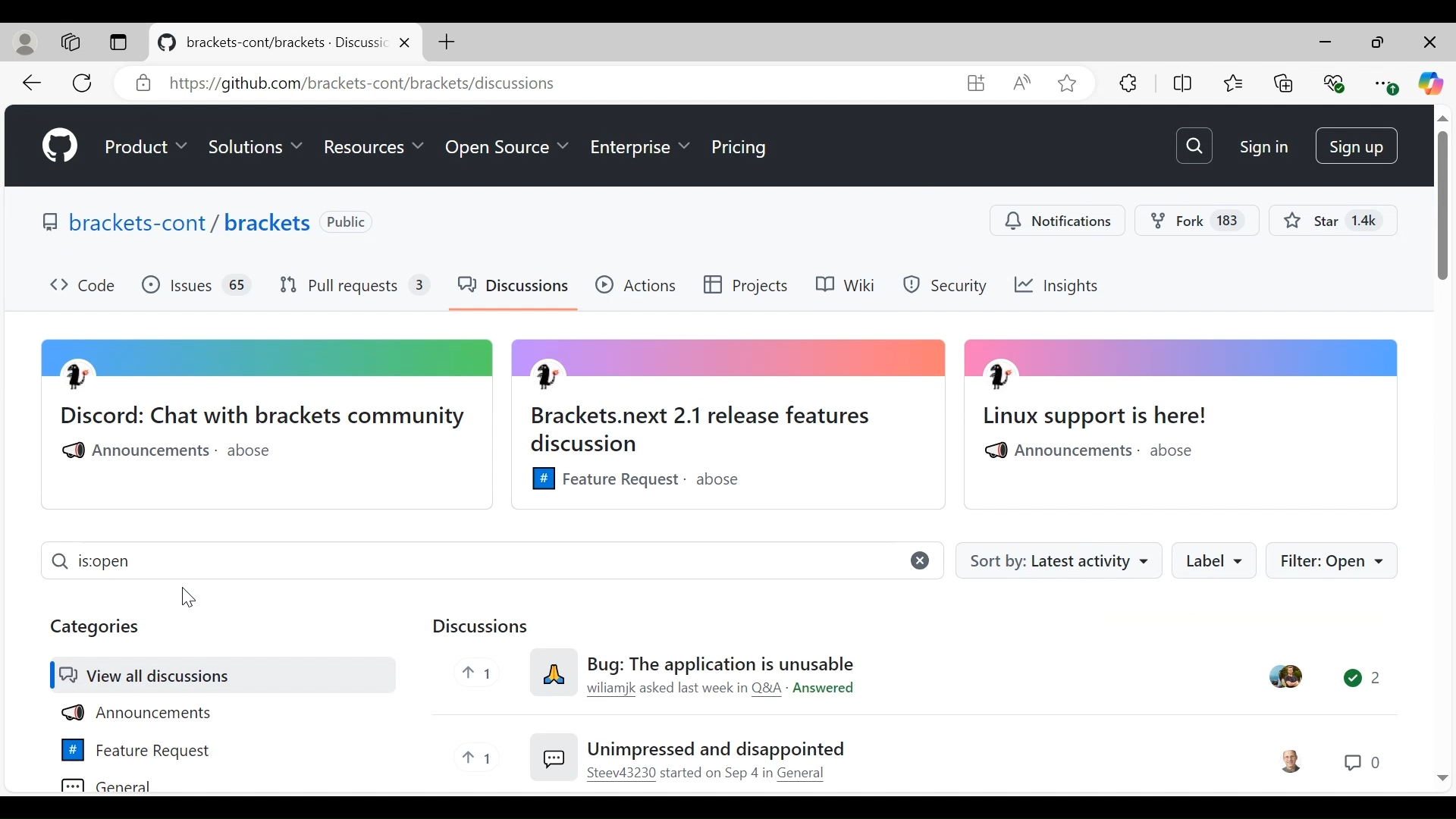 The image size is (1456, 819). I want to click on Favorites, so click(1234, 81).